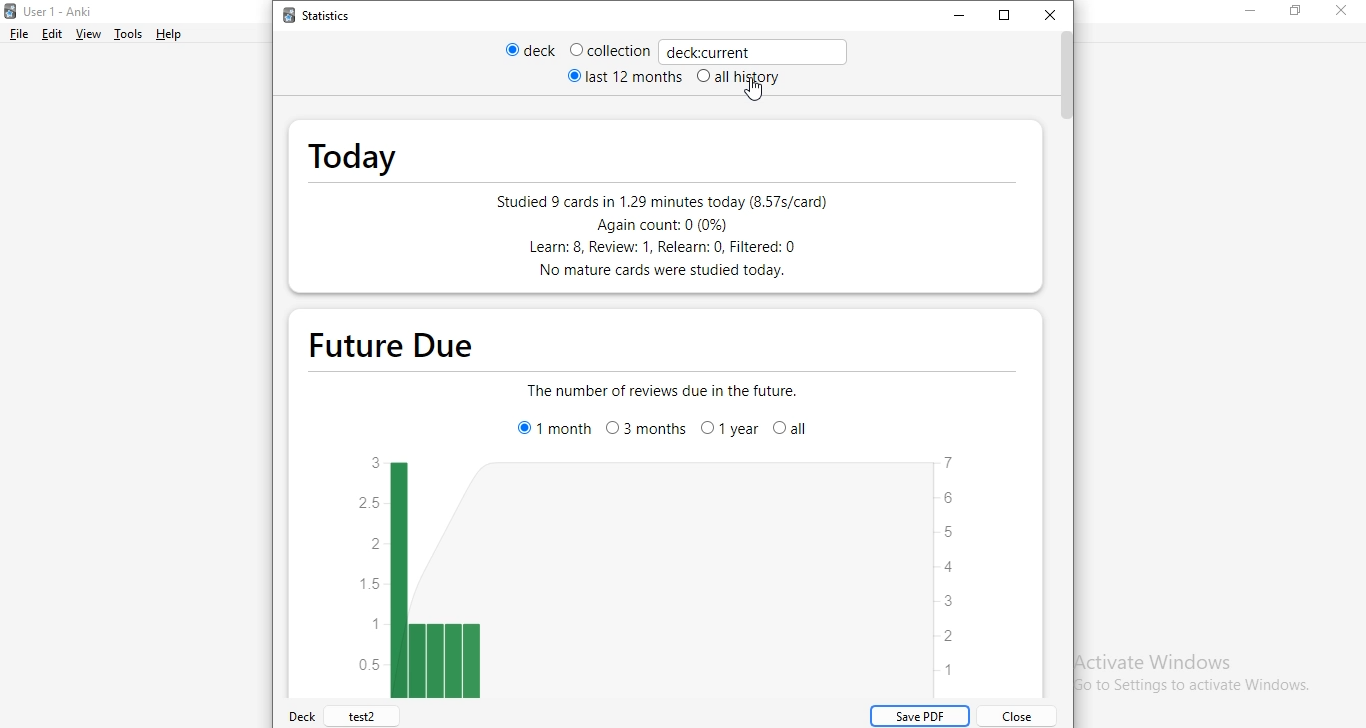 This screenshot has height=728, width=1366. Describe the element at coordinates (89, 35) in the screenshot. I see `view` at that location.